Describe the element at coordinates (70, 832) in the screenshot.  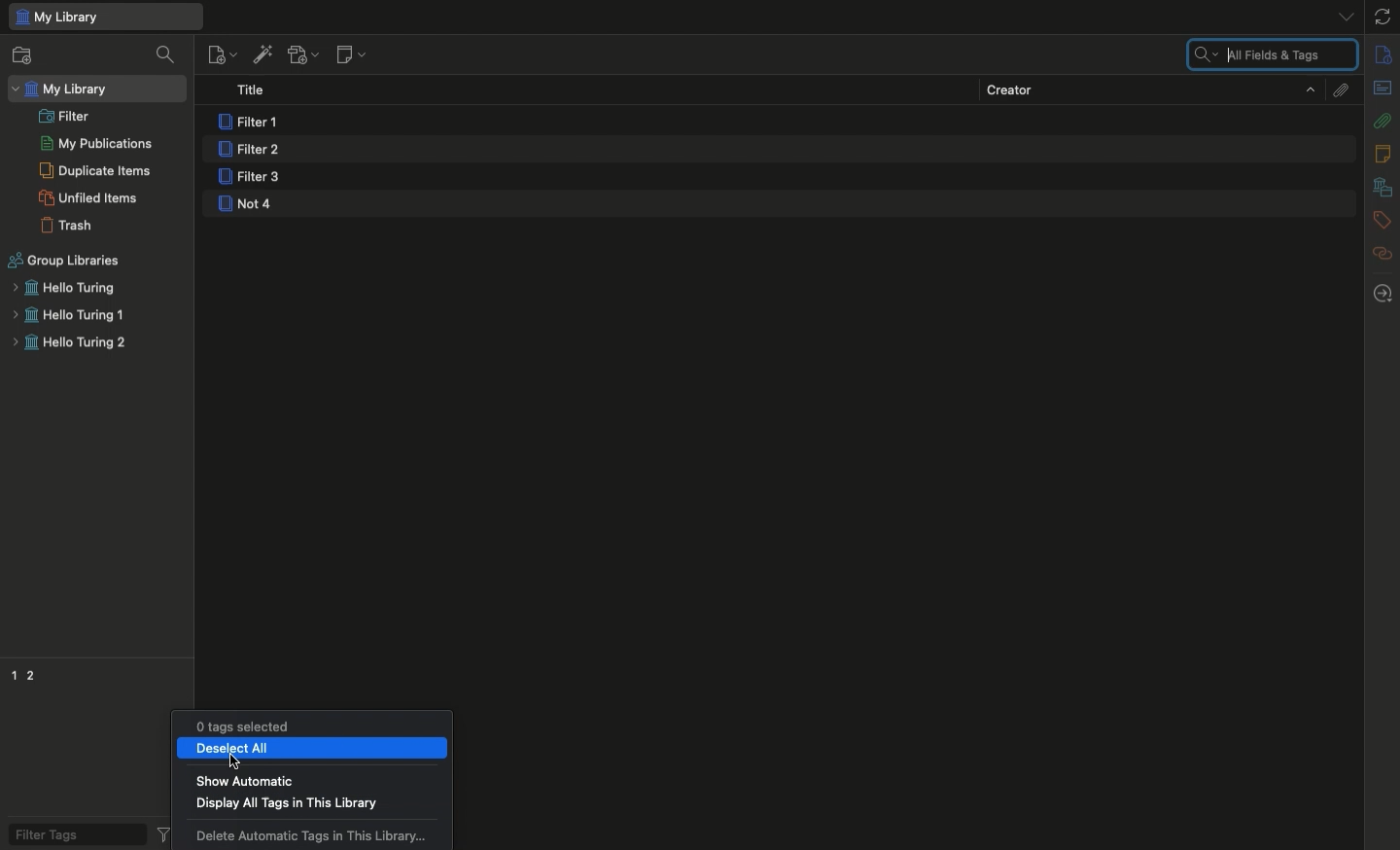
I see `Filter tags` at that location.